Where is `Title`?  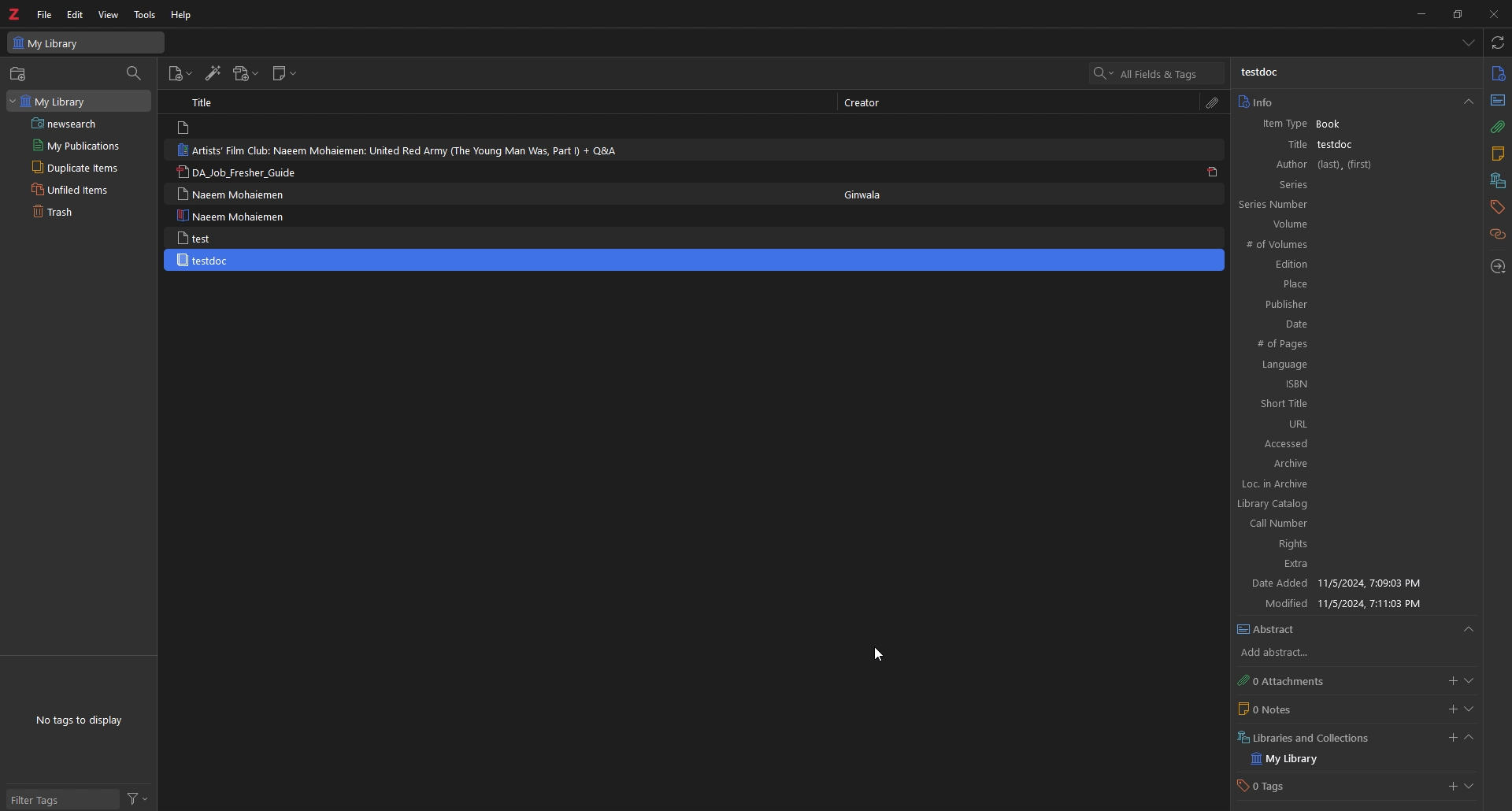 Title is located at coordinates (1283, 144).